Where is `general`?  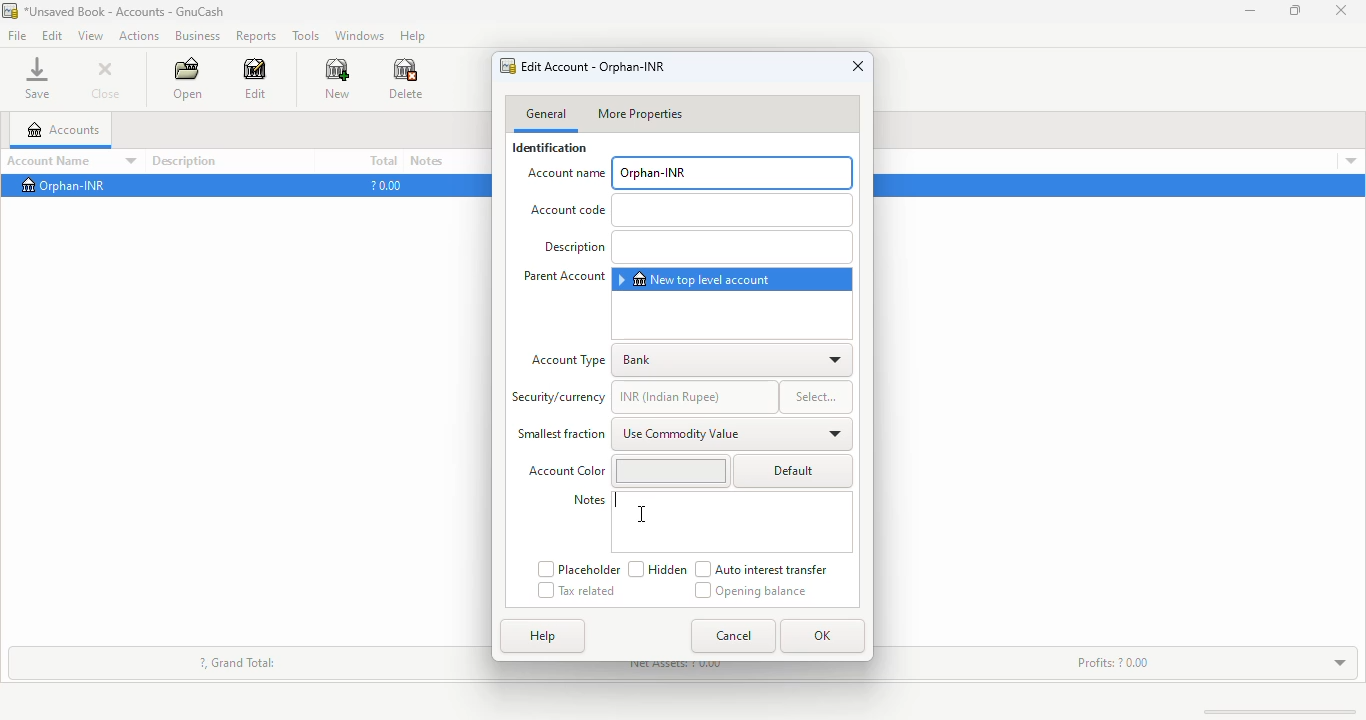 general is located at coordinates (546, 115).